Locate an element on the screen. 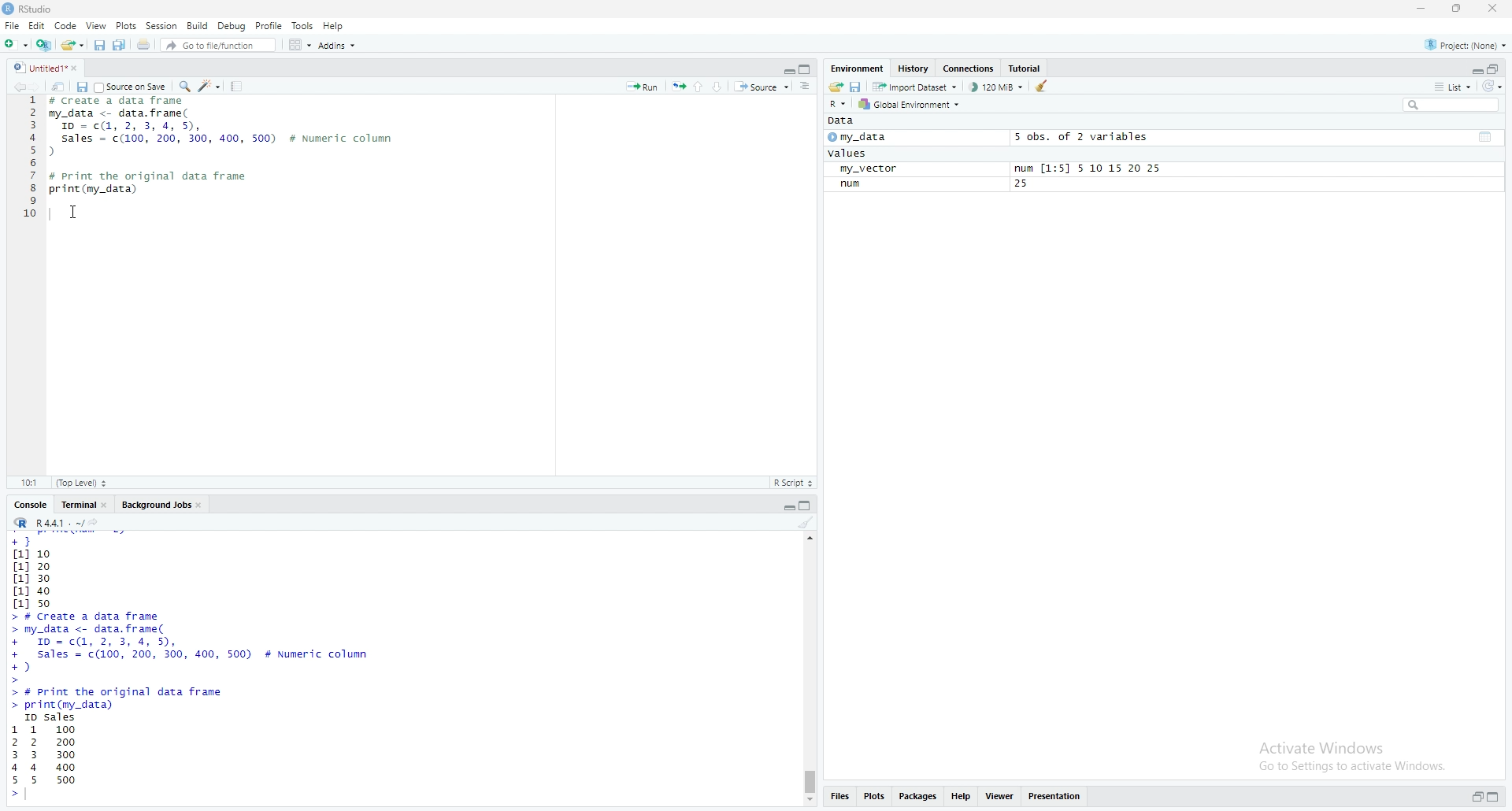  Debug is located at coordinates (233, 25).